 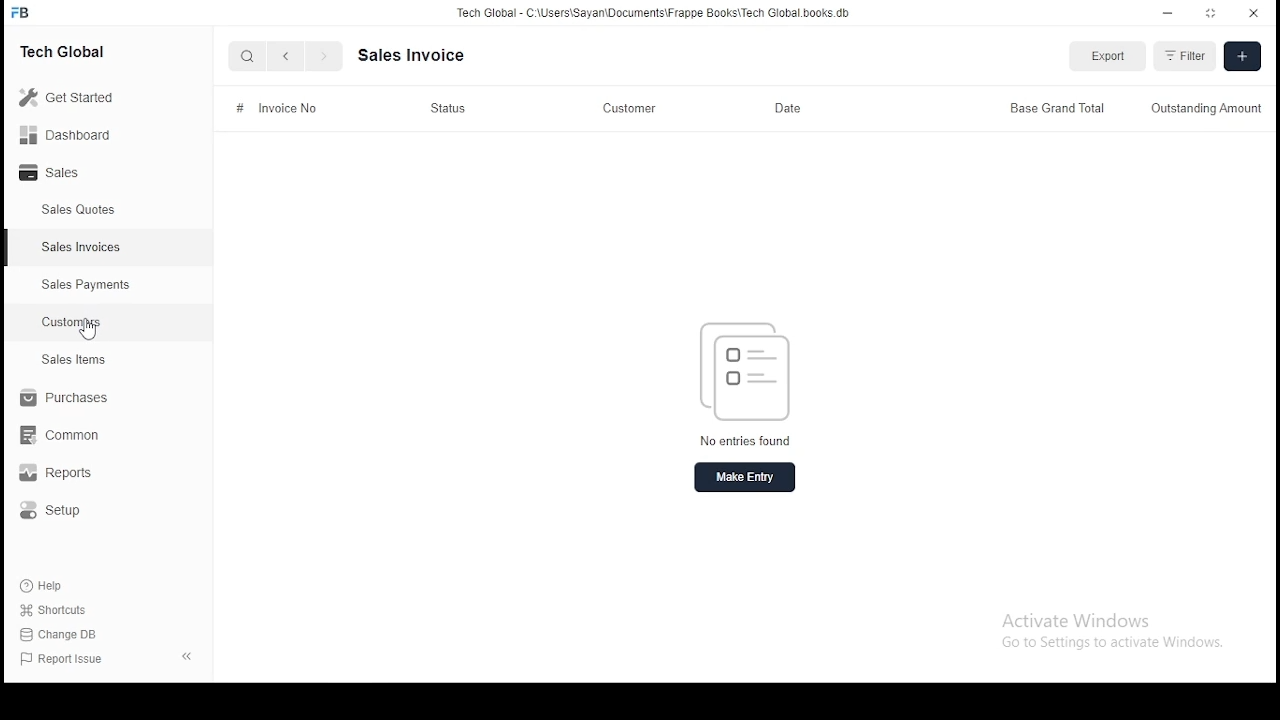 I want to click on sales items, so click(x=72, y=360).